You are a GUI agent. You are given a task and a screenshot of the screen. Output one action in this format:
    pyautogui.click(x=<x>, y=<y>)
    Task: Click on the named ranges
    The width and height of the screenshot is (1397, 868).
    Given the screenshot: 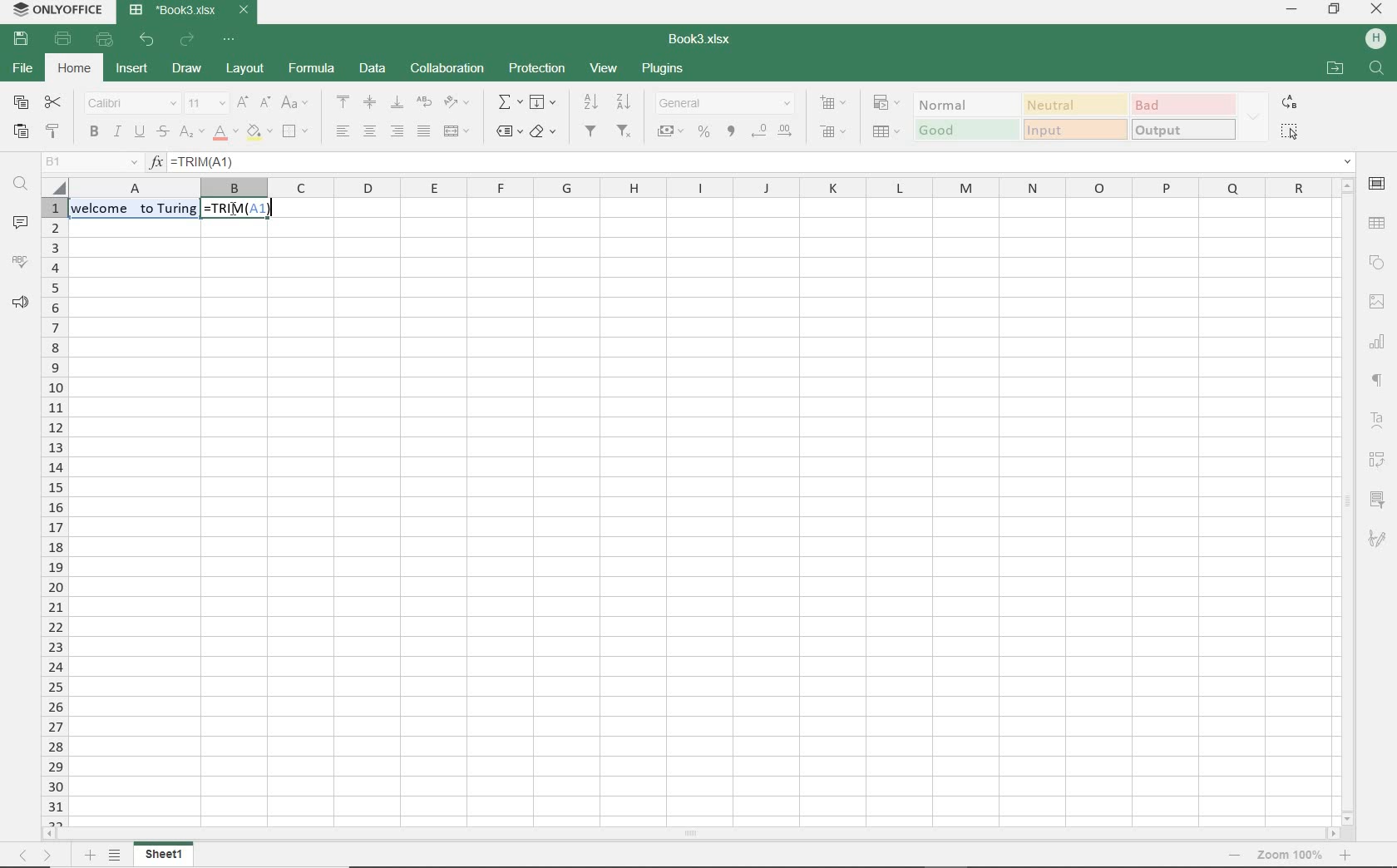 What is the action you would take?
    pyautogui.click(x=507, y=133)
    